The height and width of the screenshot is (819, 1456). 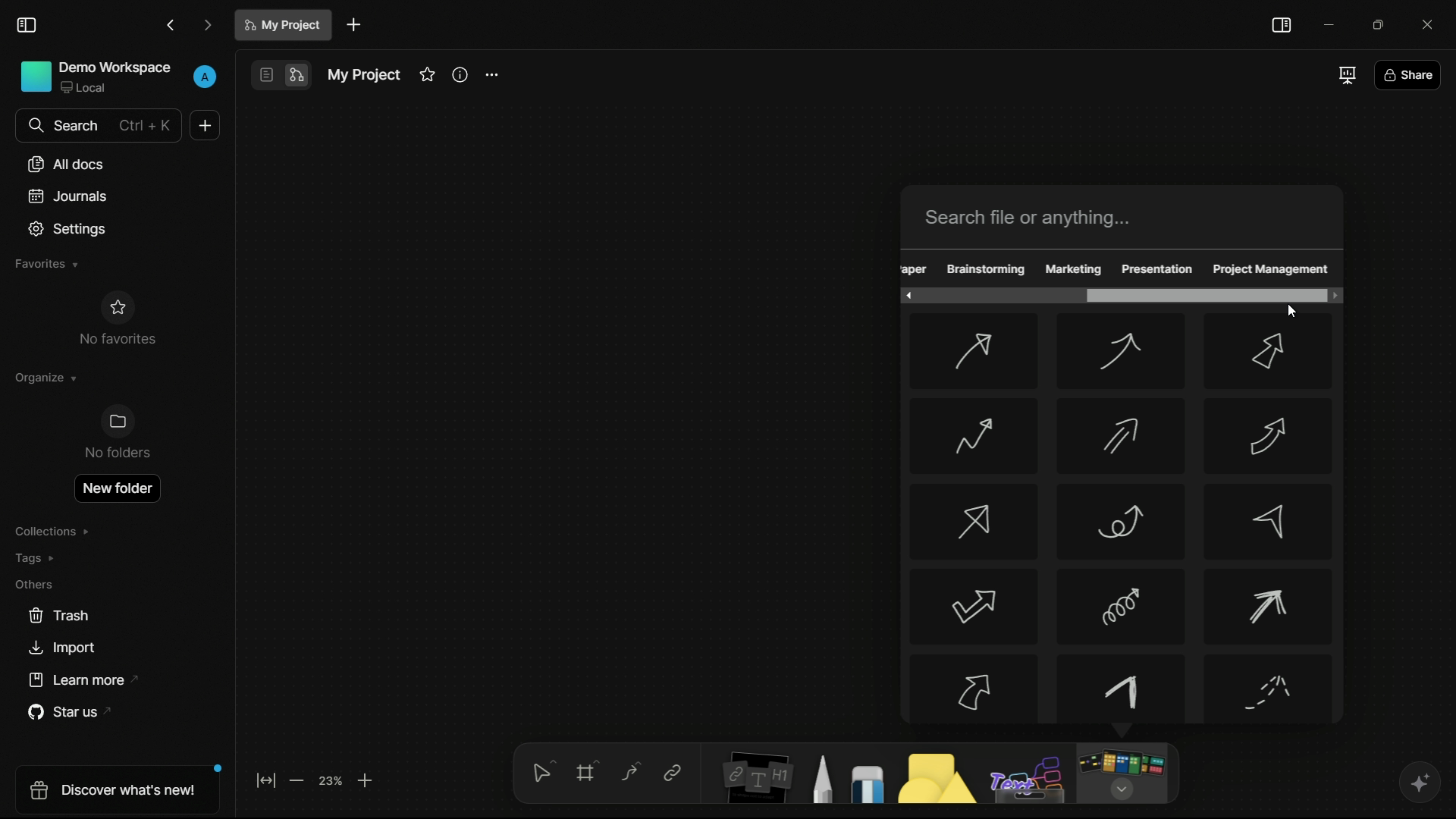 I want to click on profile icon, so click(x=206, y=74).